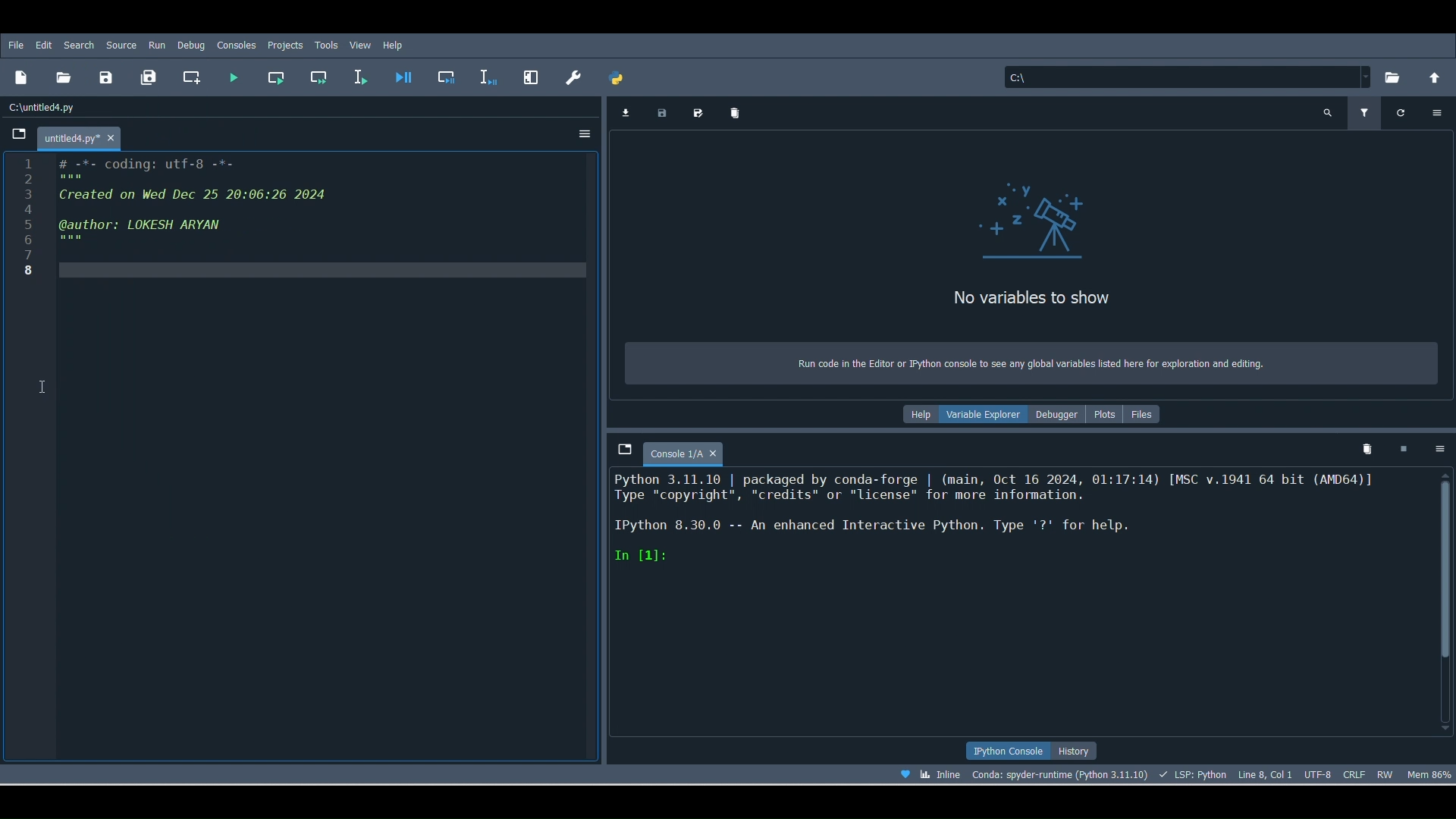  What do you see at coordinates (449, 76) in the screenshot?
I see `Debug cell` at bounding box center [449, 76].